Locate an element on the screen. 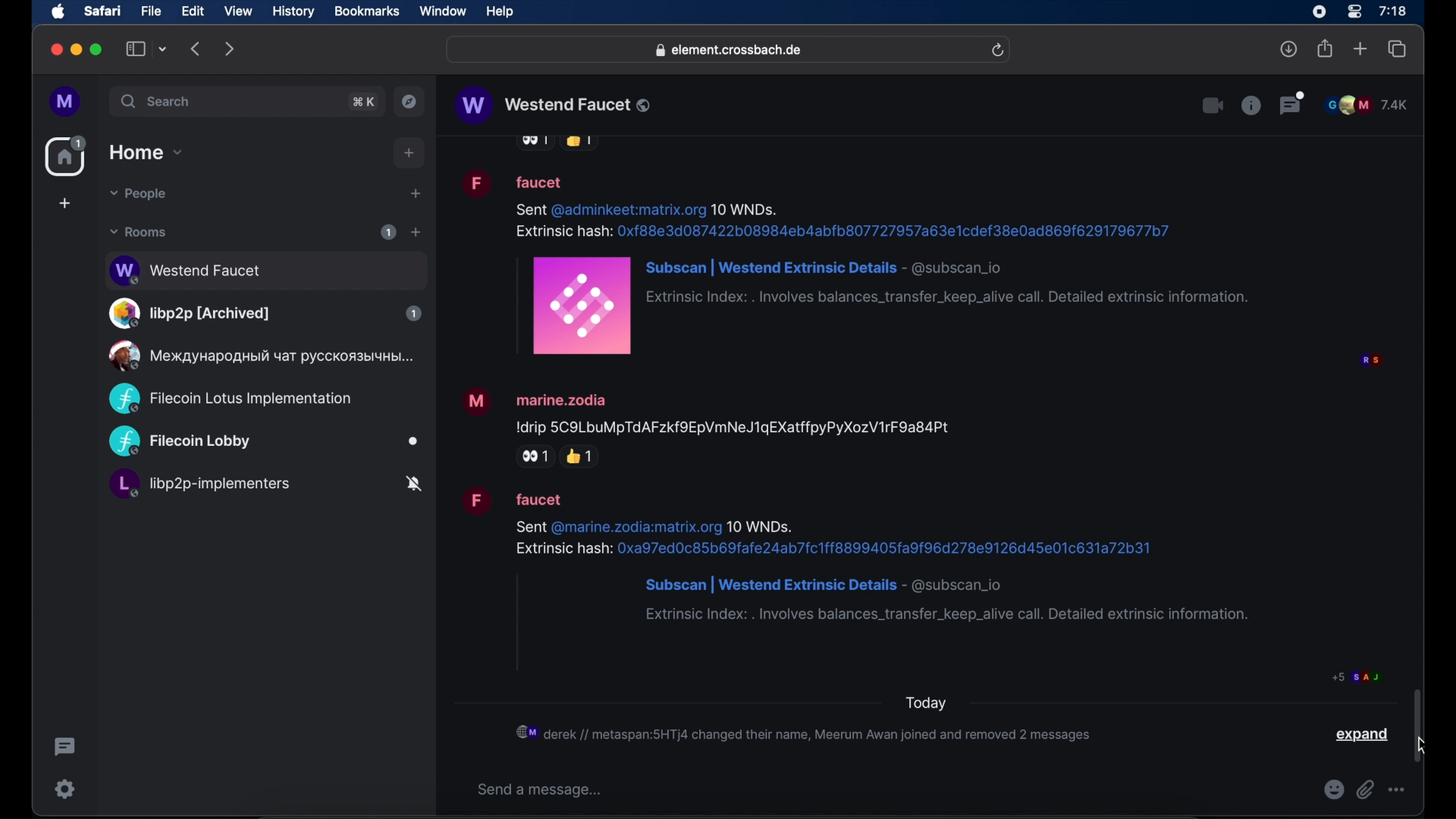 This screenshot has height=819, width=1456. public room is located at coordinates (230, 399).